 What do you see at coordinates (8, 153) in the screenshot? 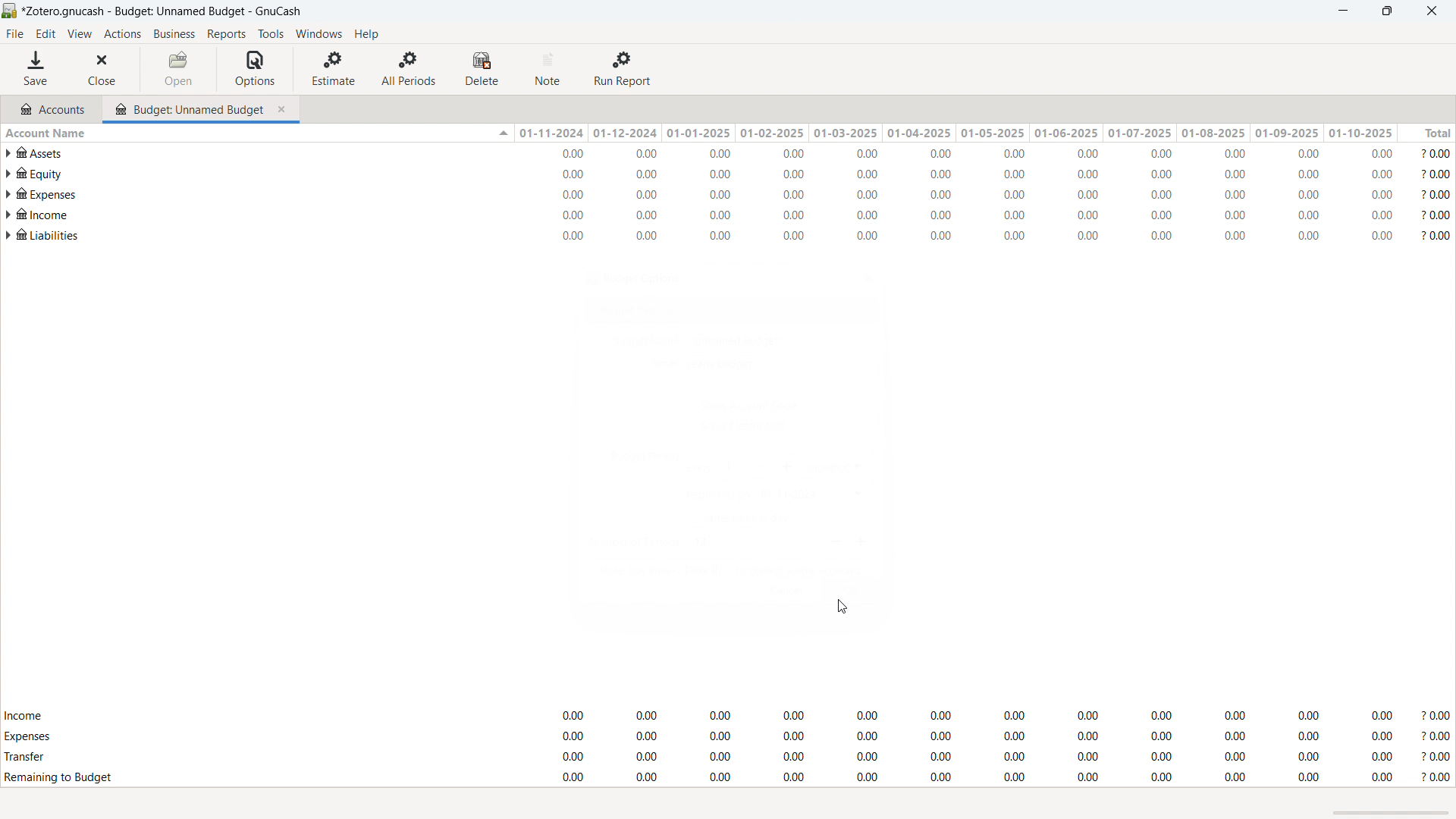
I see `expand subaccounts` at bounding box center [8, 153].